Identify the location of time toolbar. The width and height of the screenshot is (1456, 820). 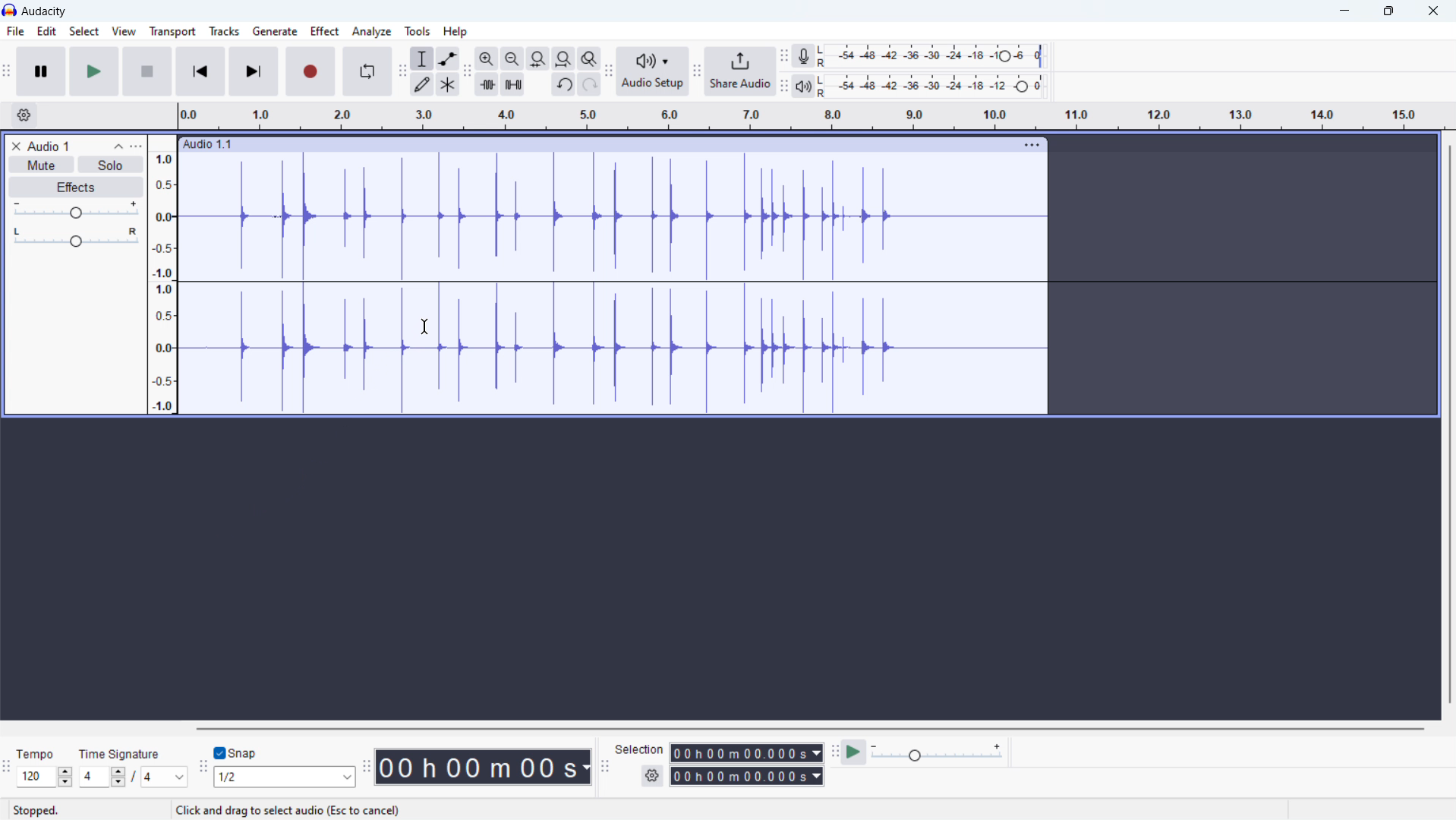
(367, 768).